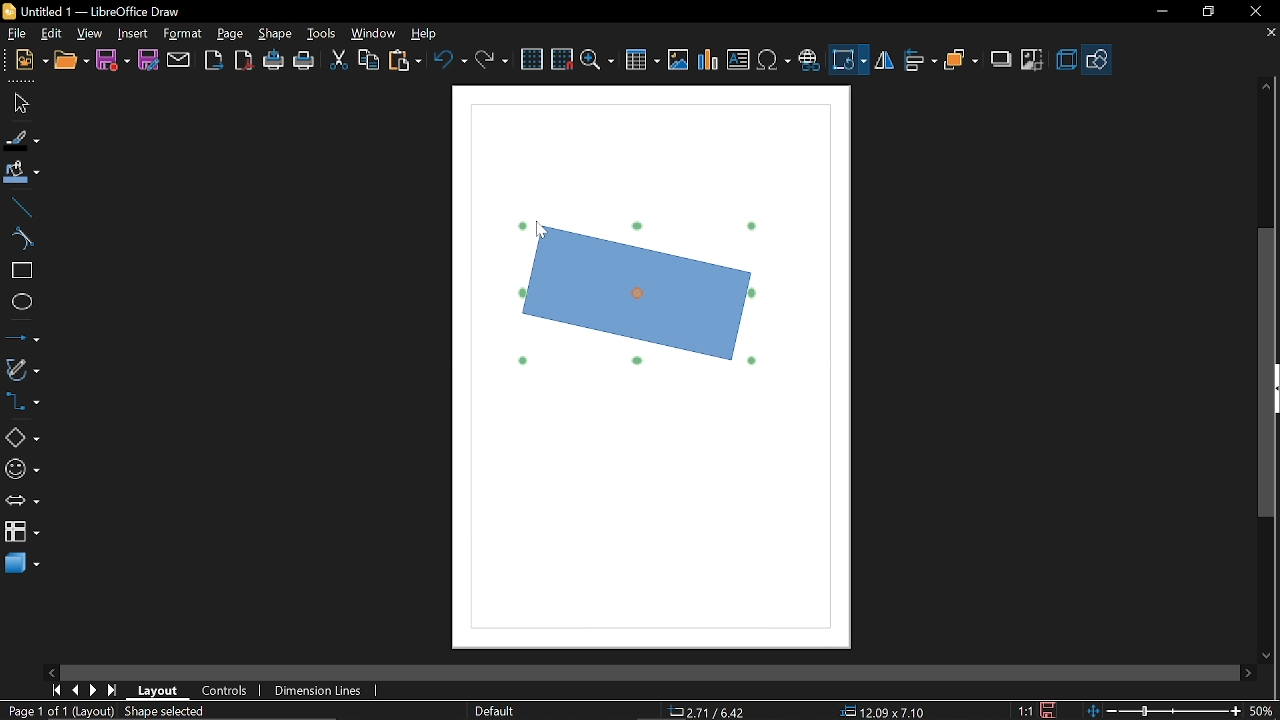  What do you see at coordinates (134, 33) in the screenshot?
I see `Insert` at bounding box center [134, 33].